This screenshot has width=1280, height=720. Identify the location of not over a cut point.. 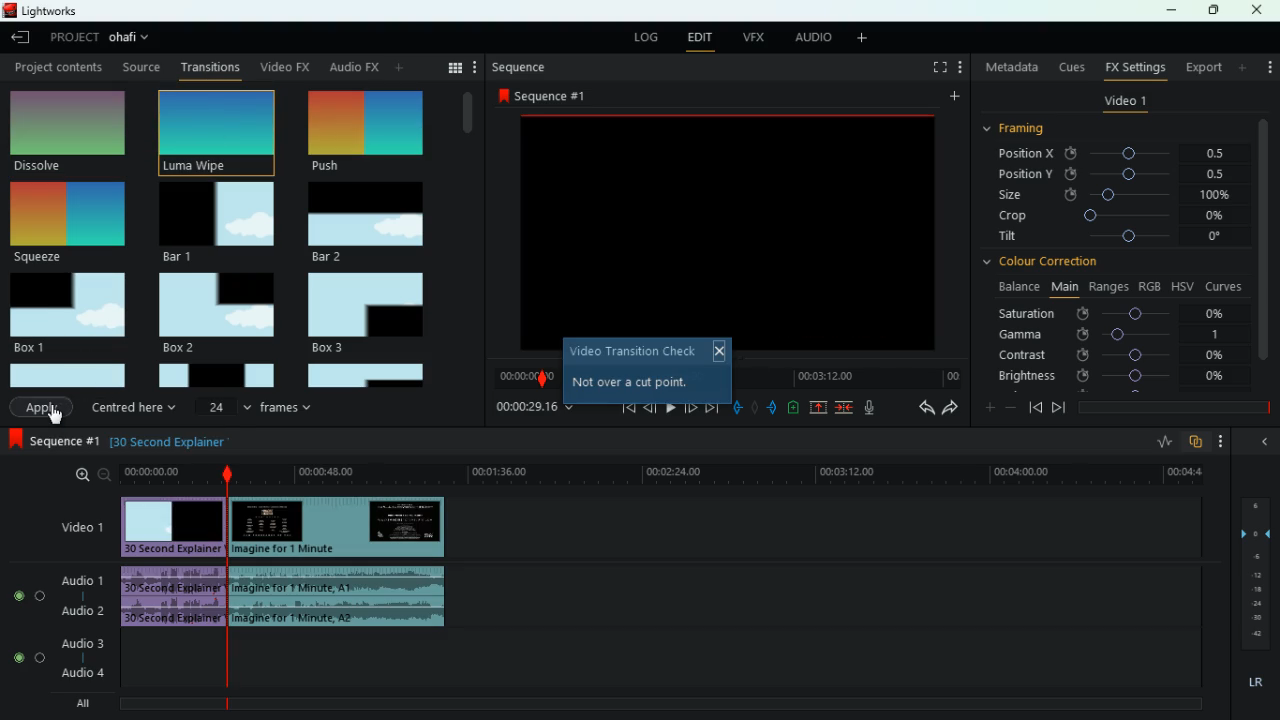
(632, 380).